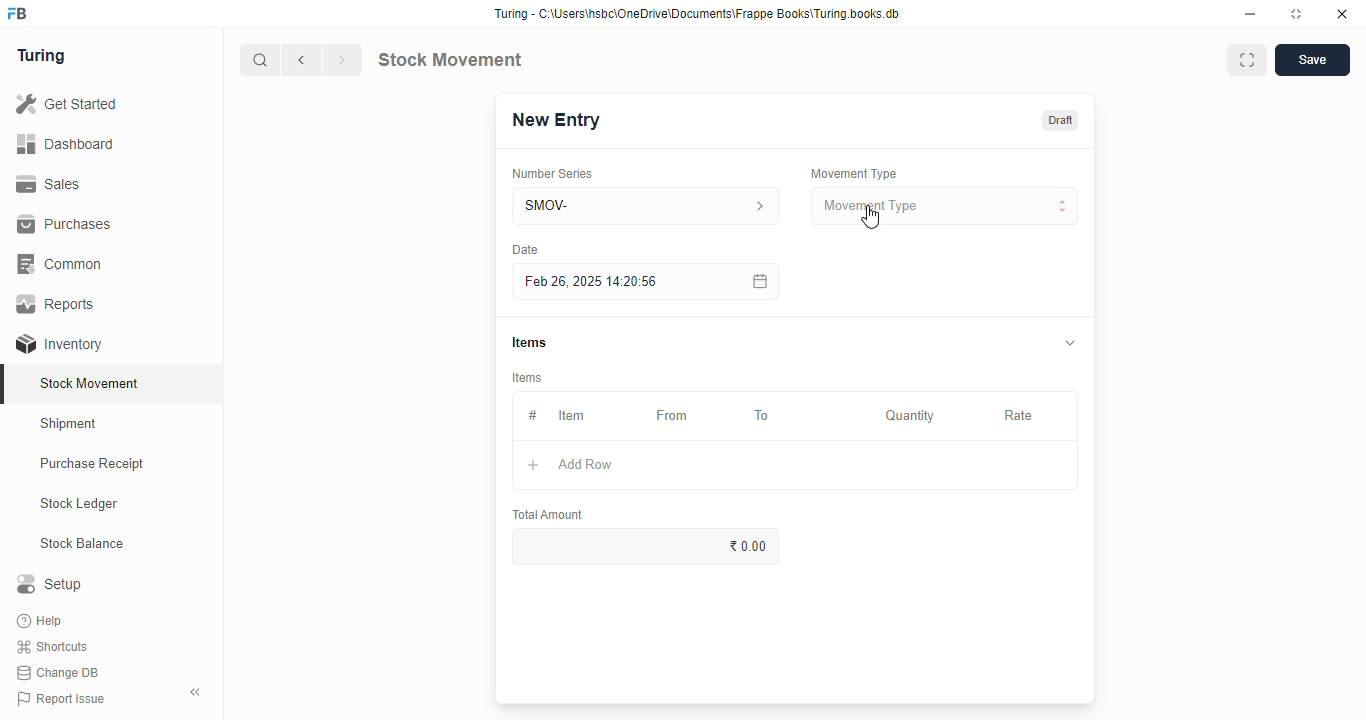 This screenshot has width=1366, height=720. What do you see at coordinates (529, 342) in the screenshot?
I see `items` at bounding box center [529, 342].